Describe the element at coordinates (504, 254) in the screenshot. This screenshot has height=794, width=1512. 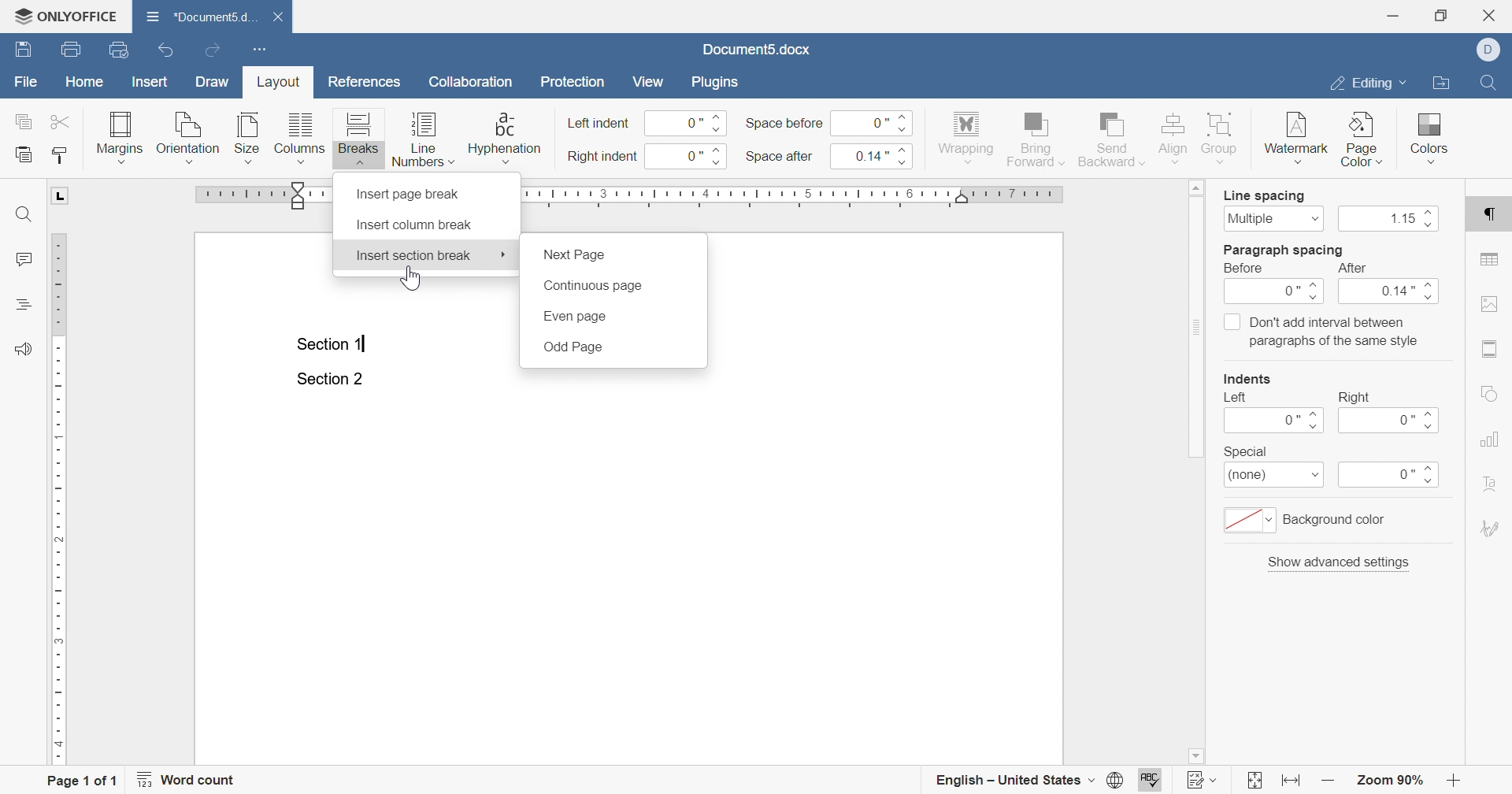
I see `cursor` at that location.